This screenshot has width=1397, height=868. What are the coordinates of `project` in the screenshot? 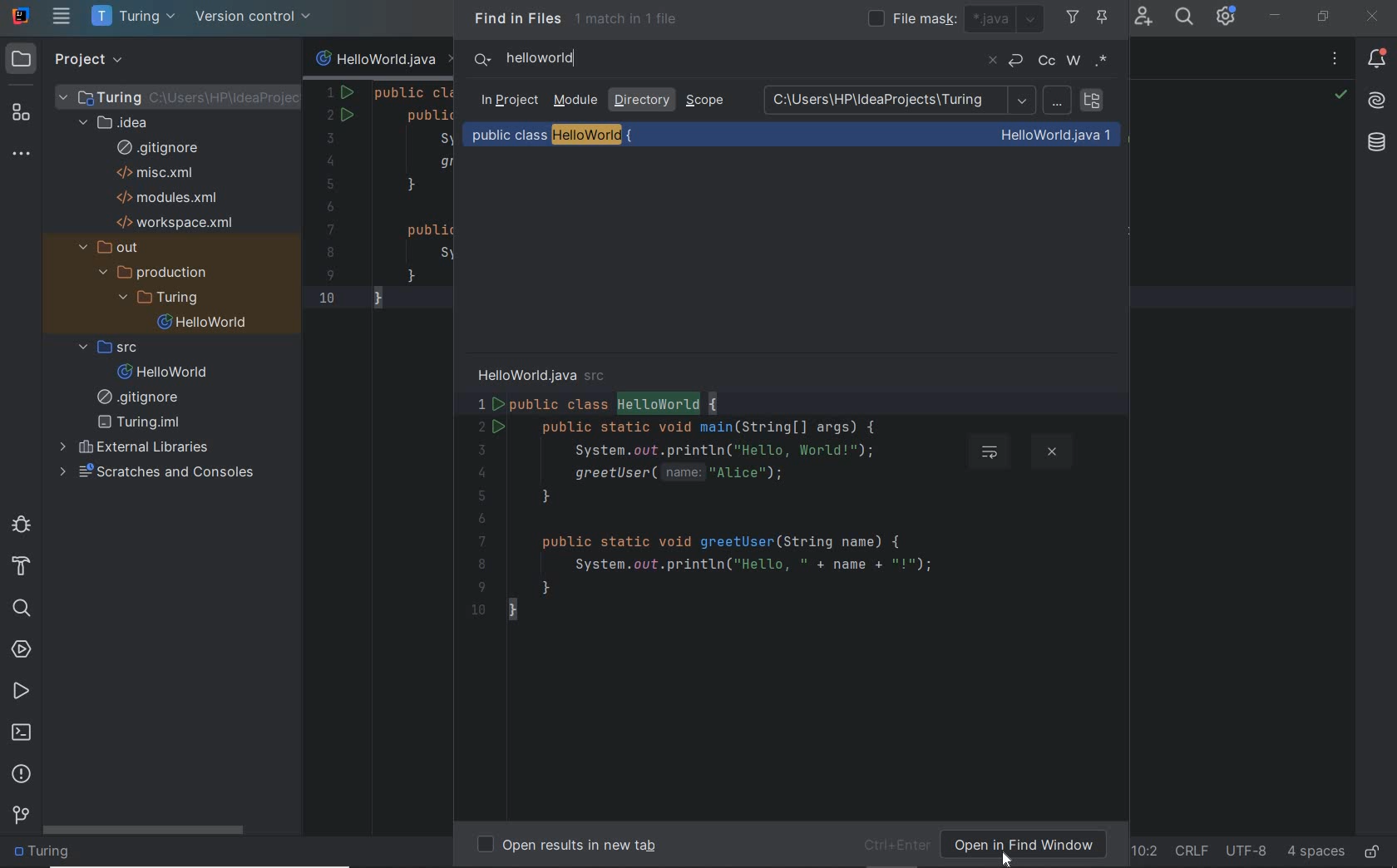 It's located at (67, 60).